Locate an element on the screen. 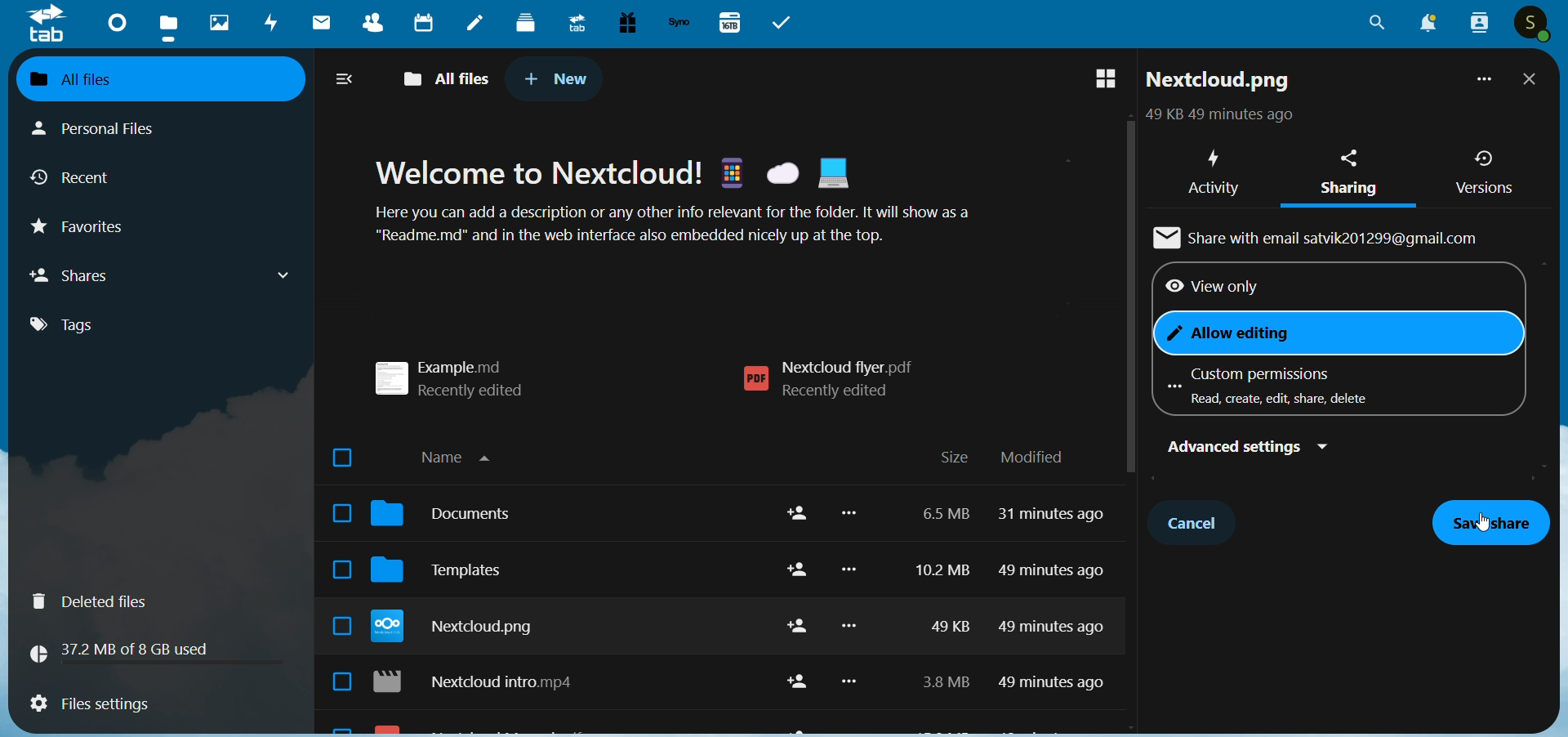  mail is located at coordinates (318, 25).